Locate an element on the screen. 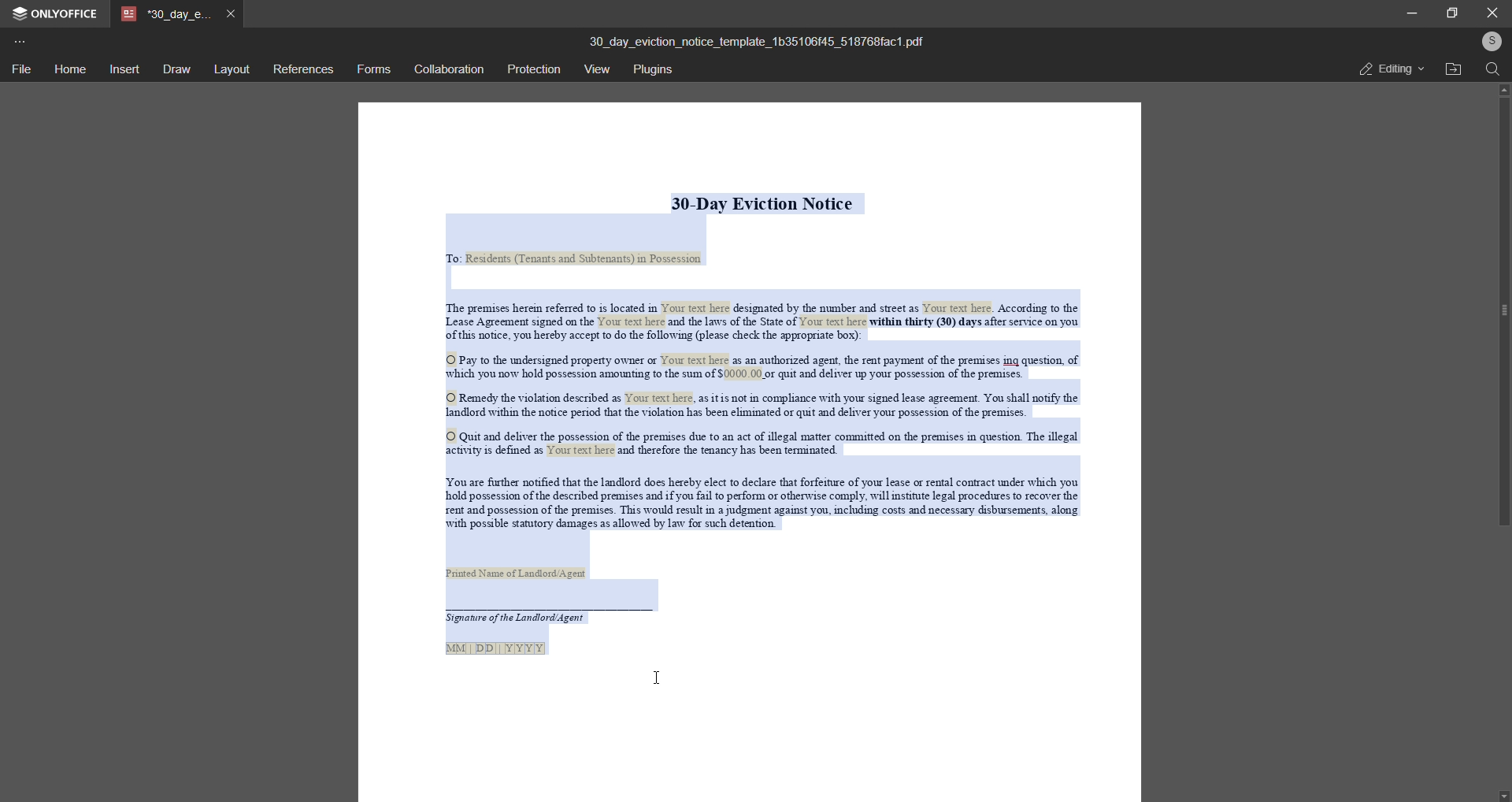  (title)30_day_eviction_notice_template_1b35106f45_518768fac1.pdf is located at coordinates (755, 40).